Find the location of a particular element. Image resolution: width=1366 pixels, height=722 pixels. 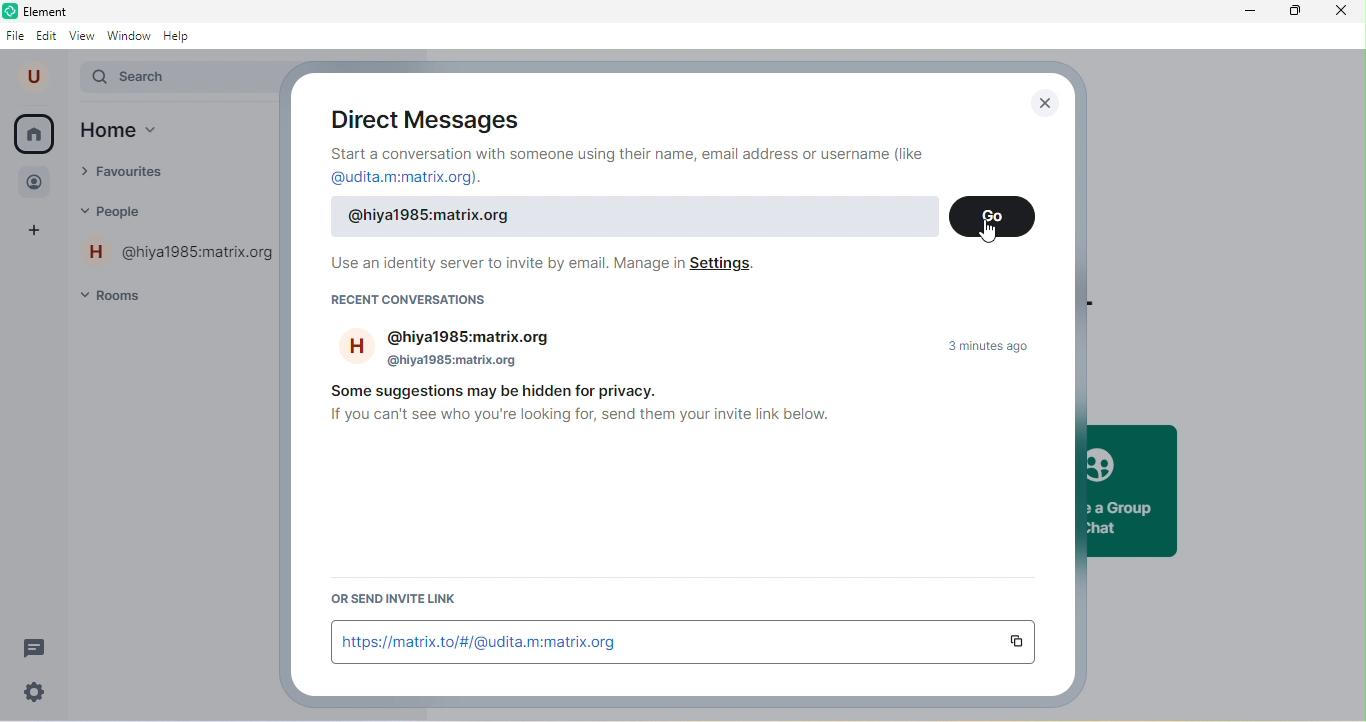

create a group chat is located at coordinates (1129, 490).